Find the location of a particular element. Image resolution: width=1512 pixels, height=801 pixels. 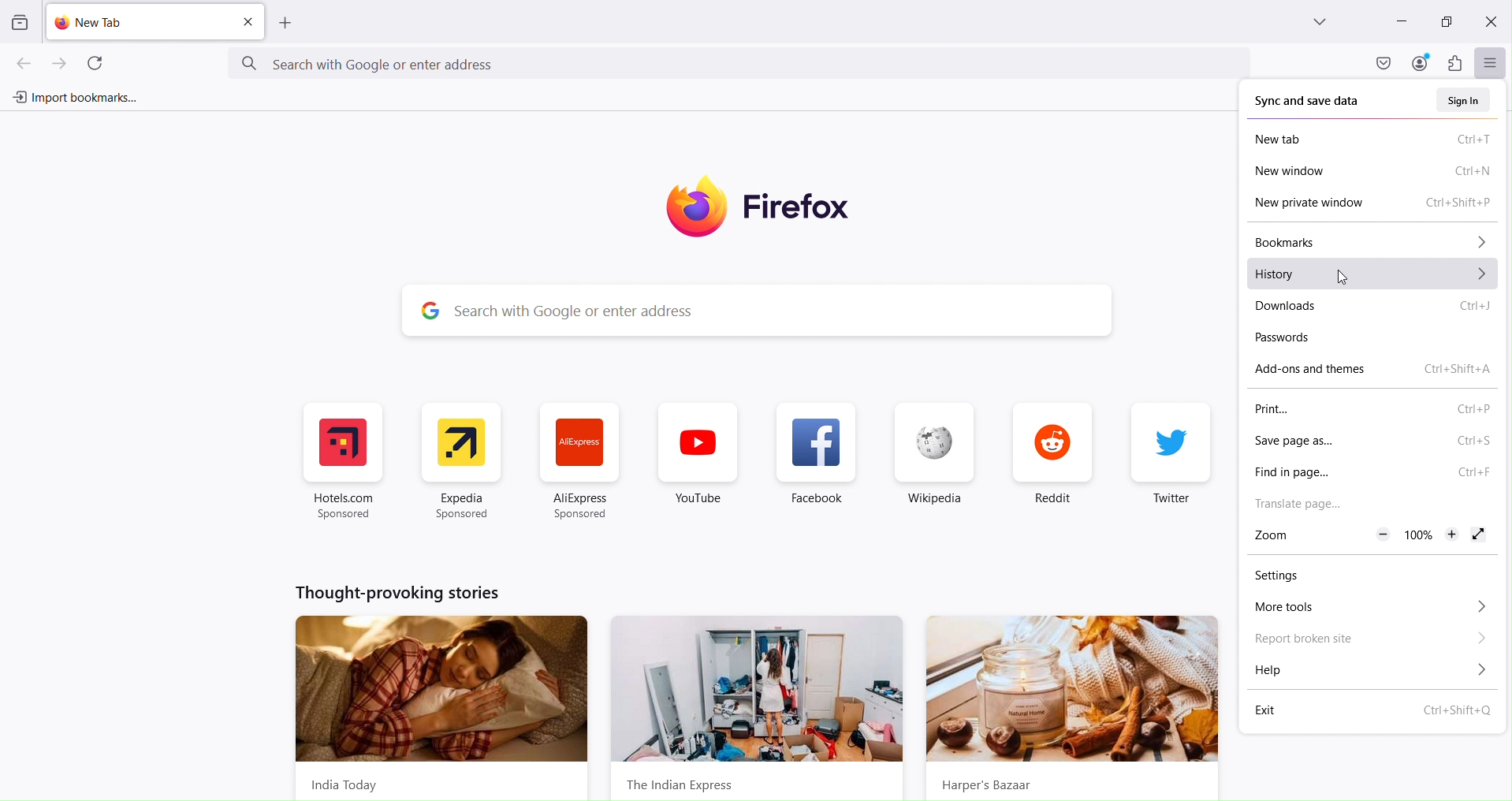

Minimize is located at coordinates (1400, 22).